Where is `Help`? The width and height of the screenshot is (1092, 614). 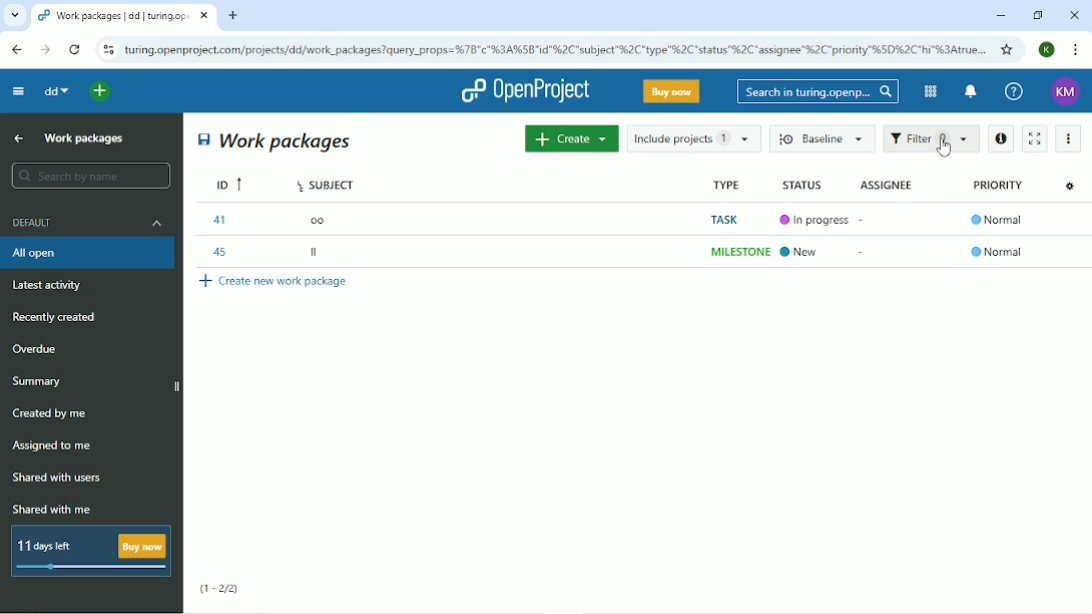
Help is located at coordinates (1014, 92).